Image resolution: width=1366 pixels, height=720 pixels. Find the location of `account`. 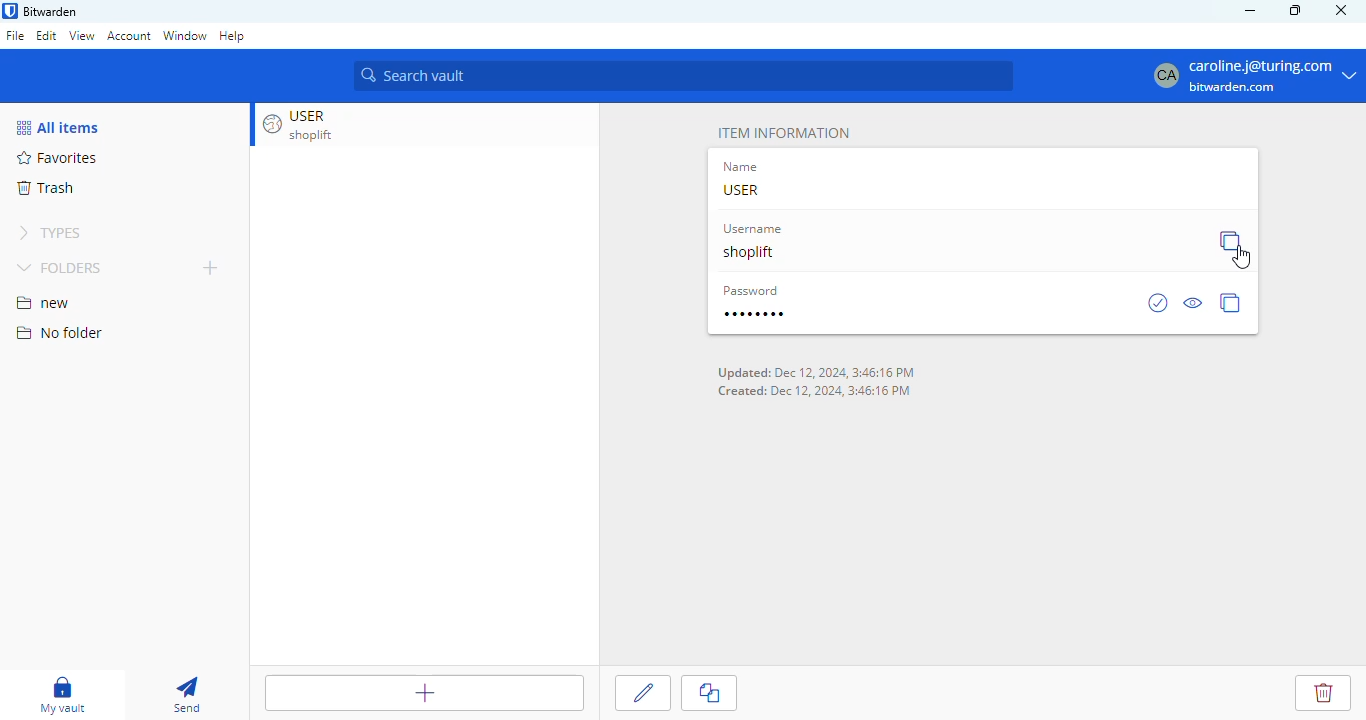

account is located at coordinates (129, 35).